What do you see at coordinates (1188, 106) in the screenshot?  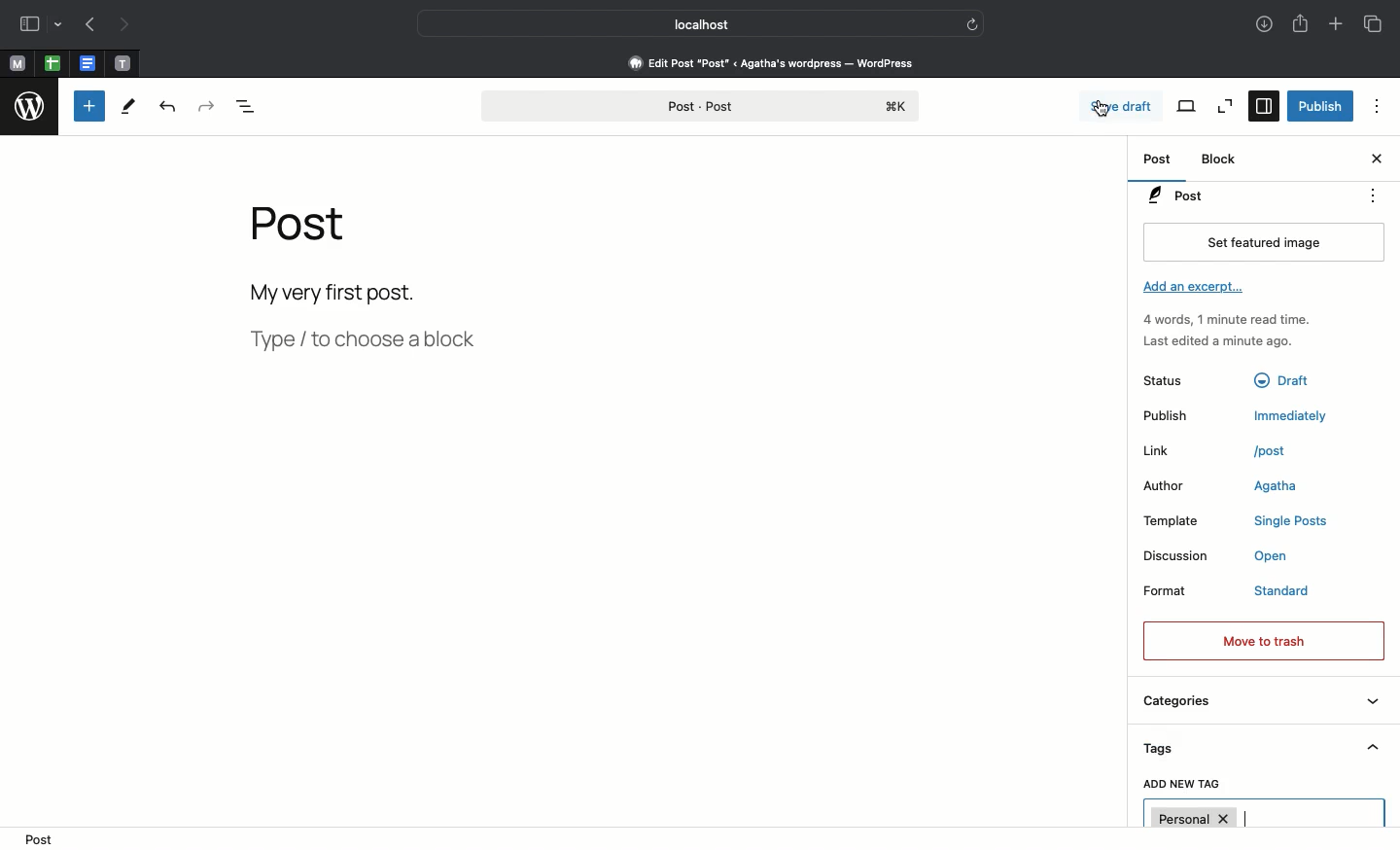 I see `View` at bounding box center [1188, 106].